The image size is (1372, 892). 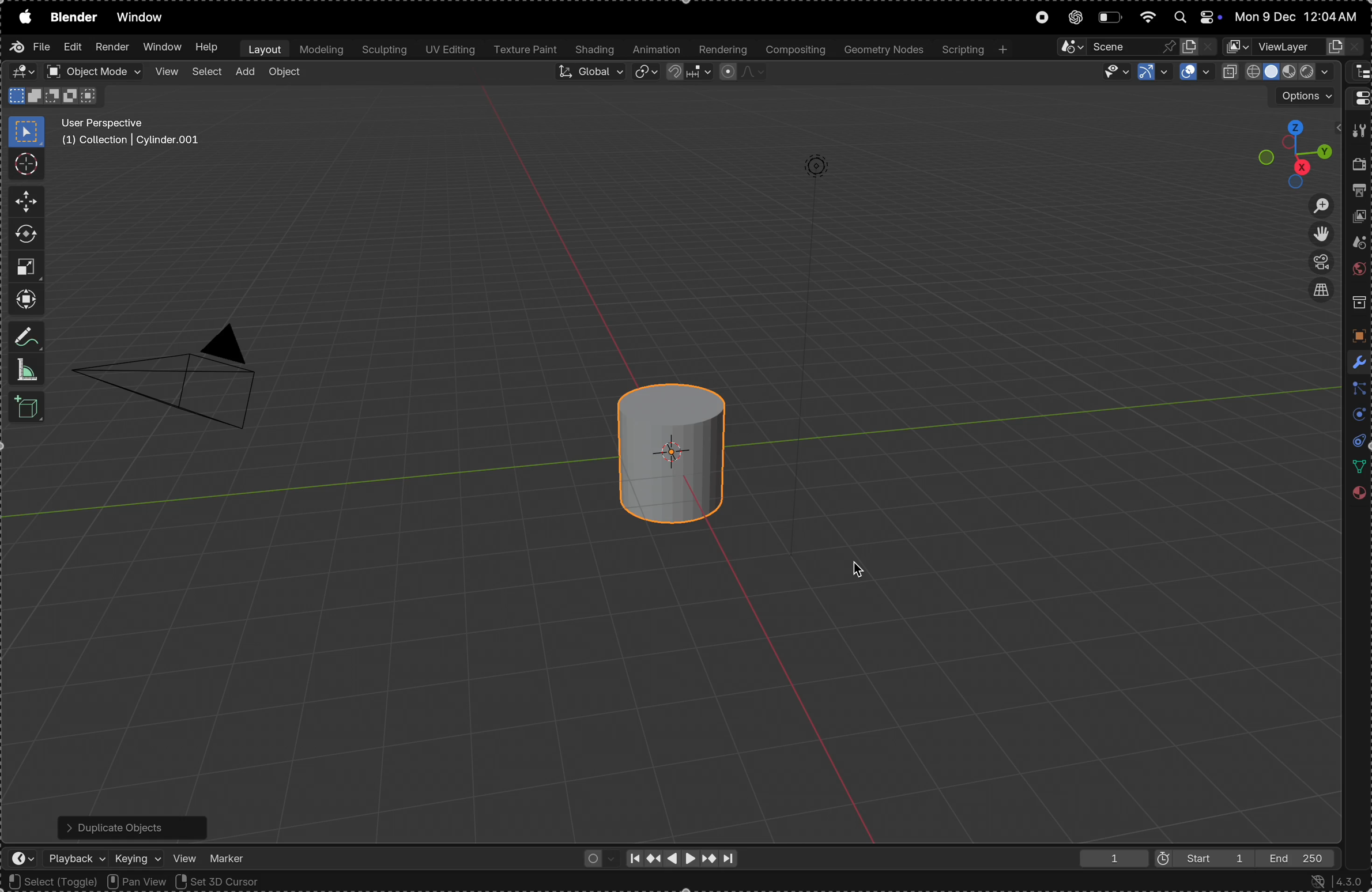 I want to click on cylinder, so click(x=664, y=447).